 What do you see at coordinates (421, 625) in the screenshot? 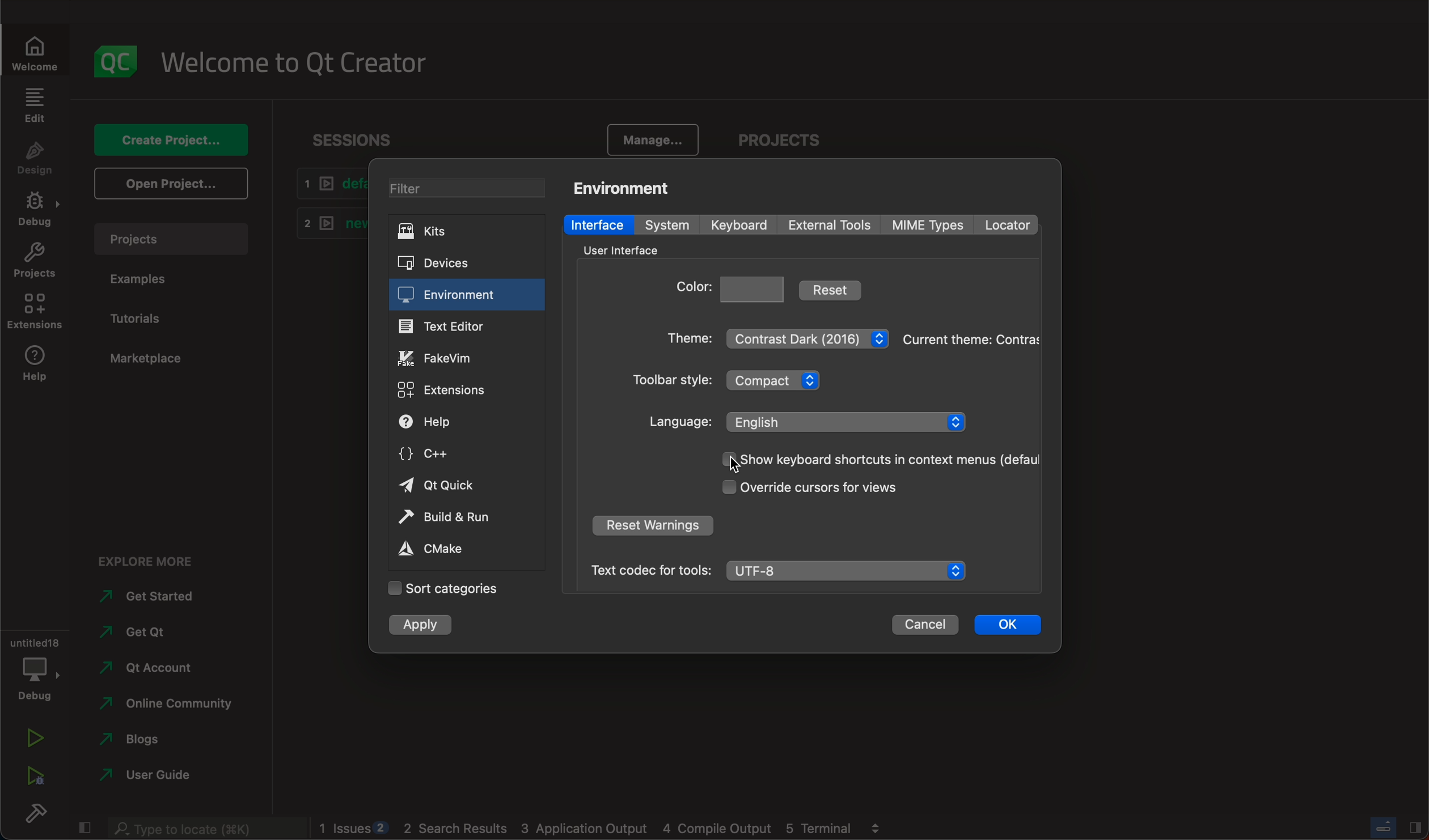
I see `apply` at bounding box center [421, 625].